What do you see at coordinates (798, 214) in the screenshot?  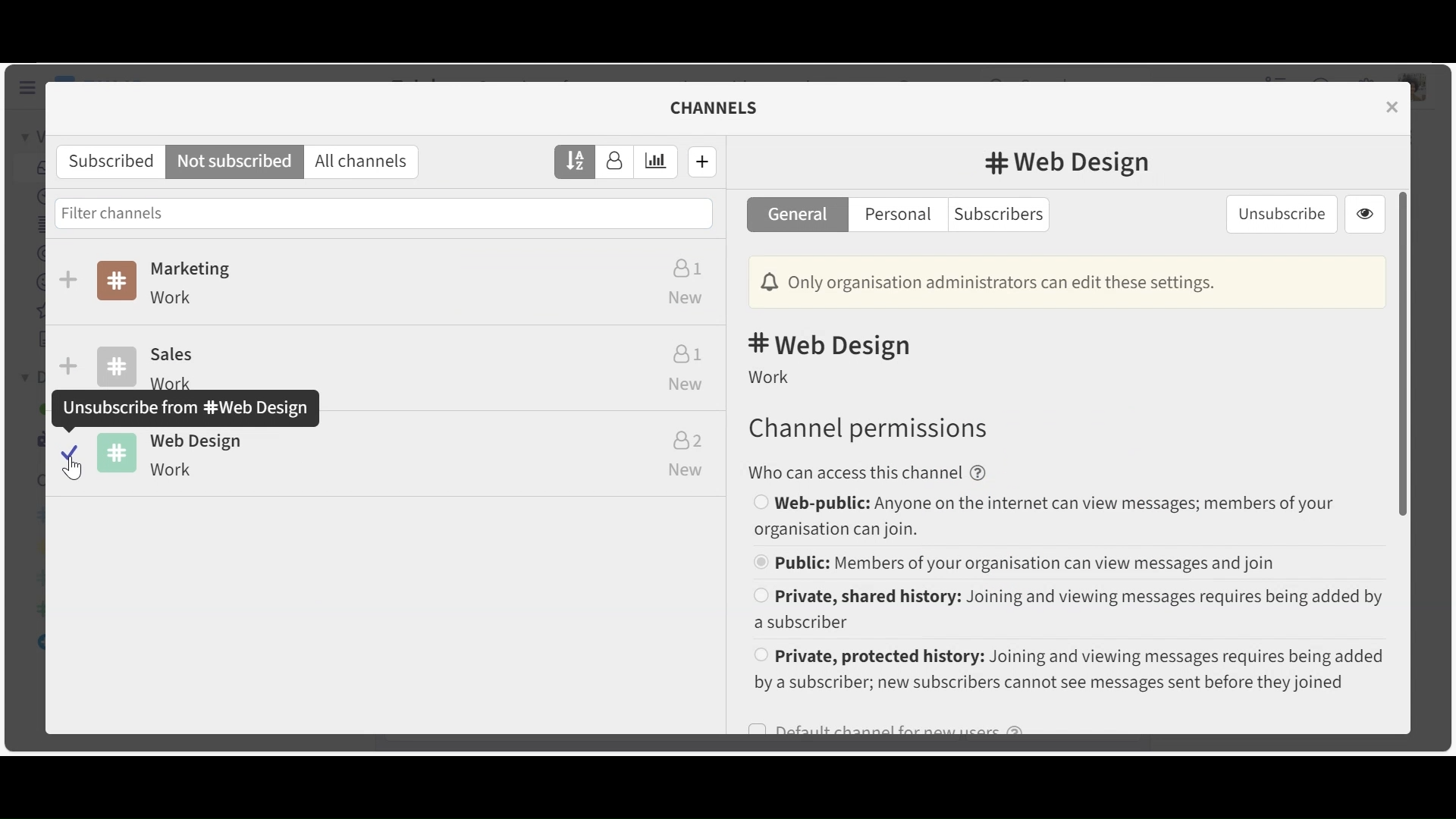 I see `General` at bounding box center [798, 214].